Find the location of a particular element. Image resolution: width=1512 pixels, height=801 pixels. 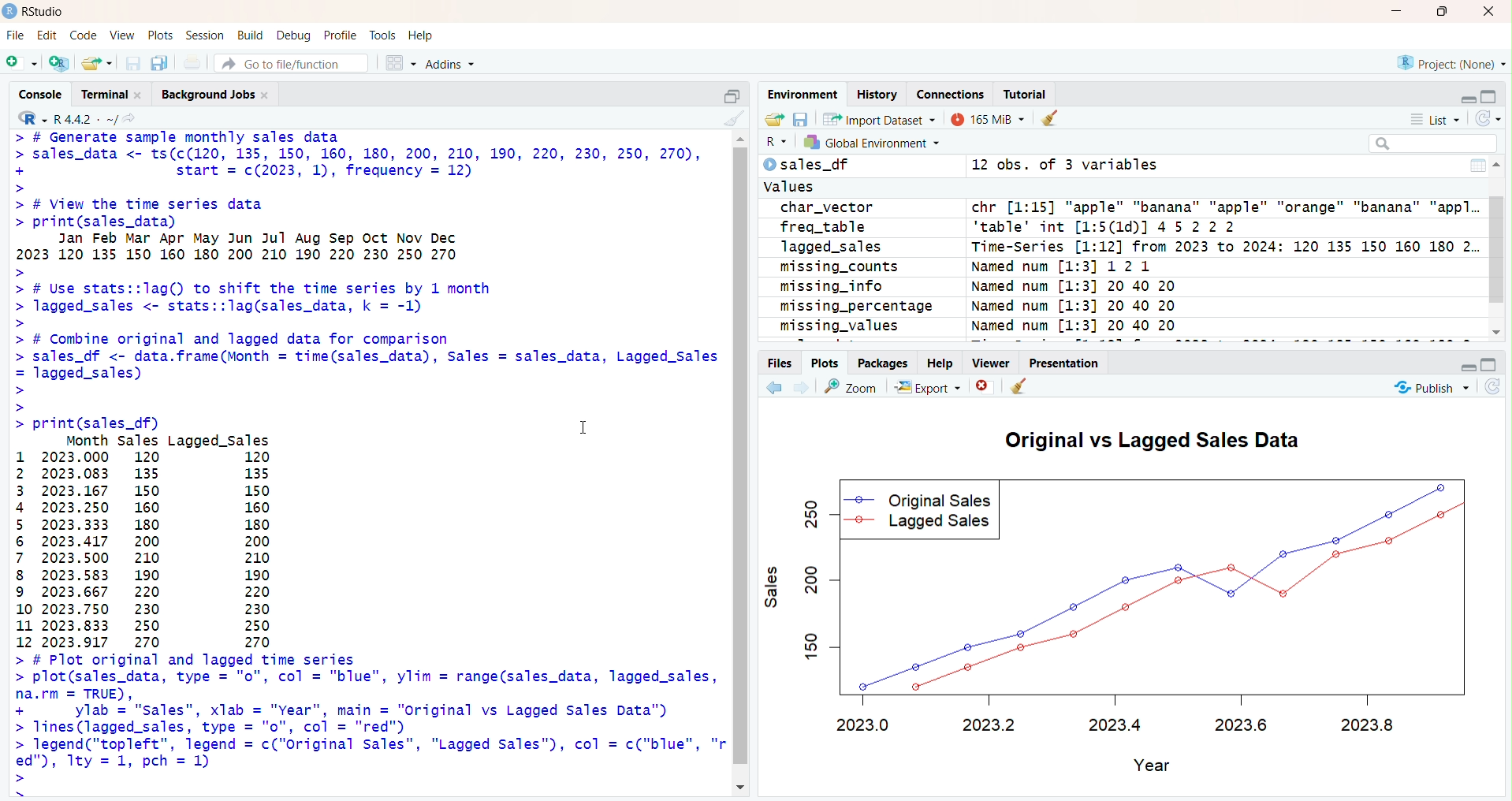

Rstudio is located at coordinates (35, 12).